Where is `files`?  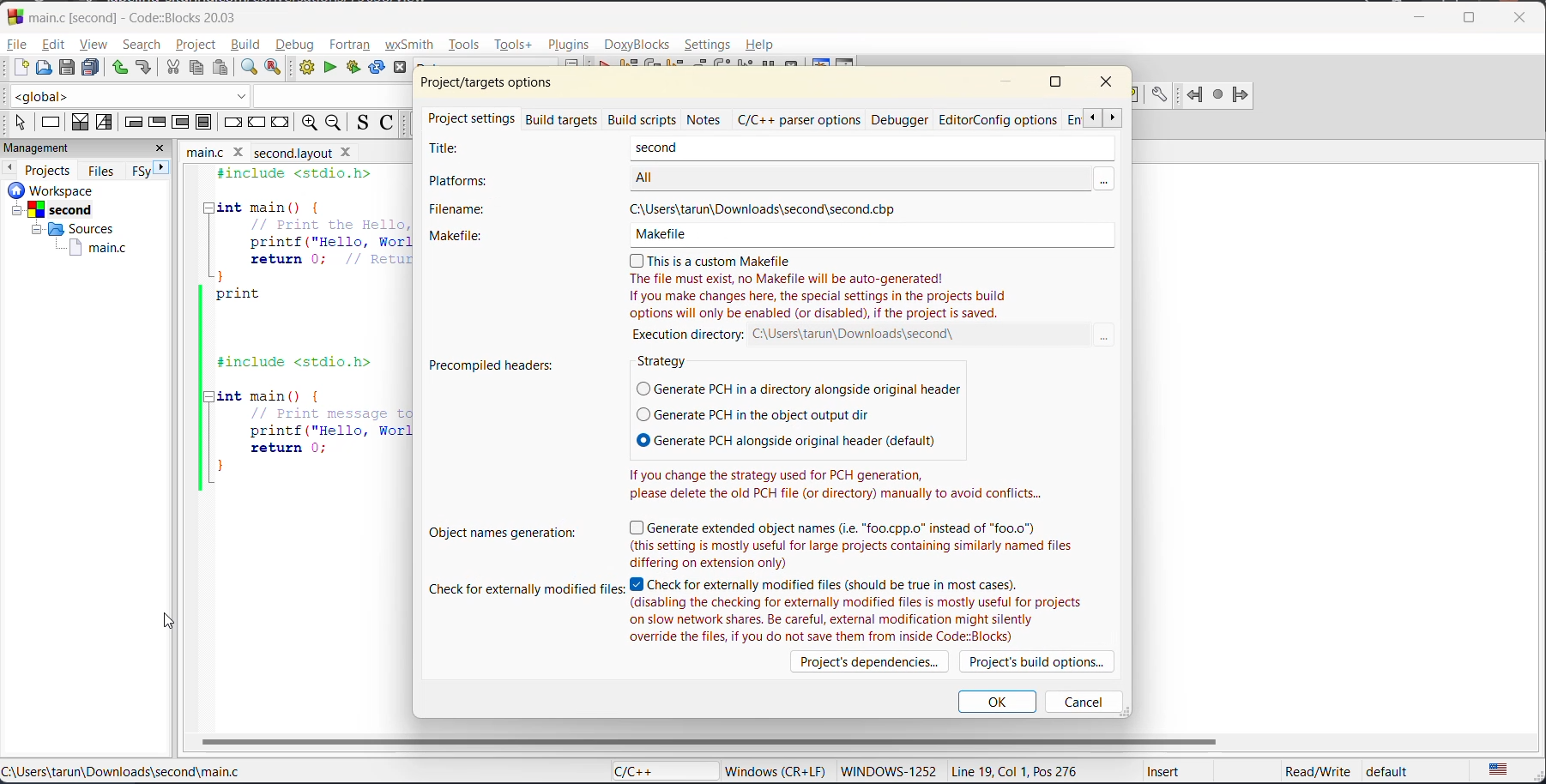
files is located at coordinates (100, 171).